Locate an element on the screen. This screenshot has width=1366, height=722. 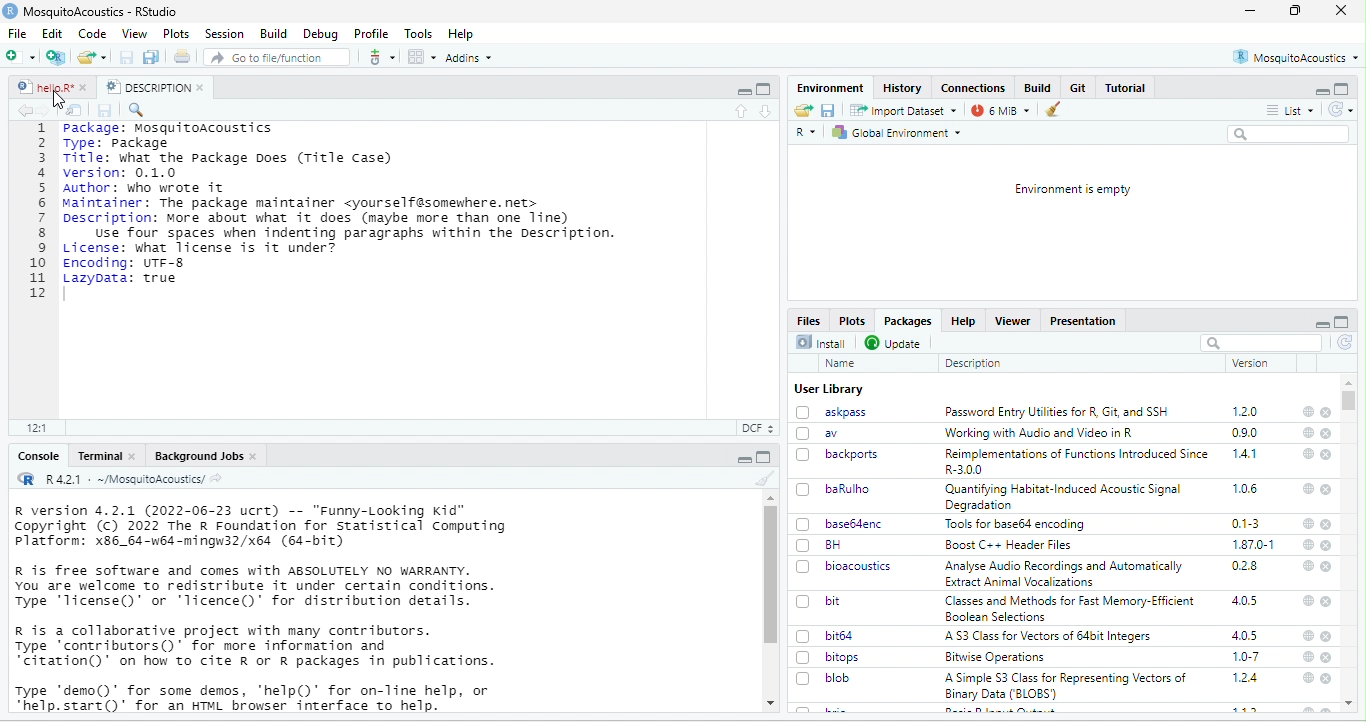
help is located at coordinates (1307, 543).